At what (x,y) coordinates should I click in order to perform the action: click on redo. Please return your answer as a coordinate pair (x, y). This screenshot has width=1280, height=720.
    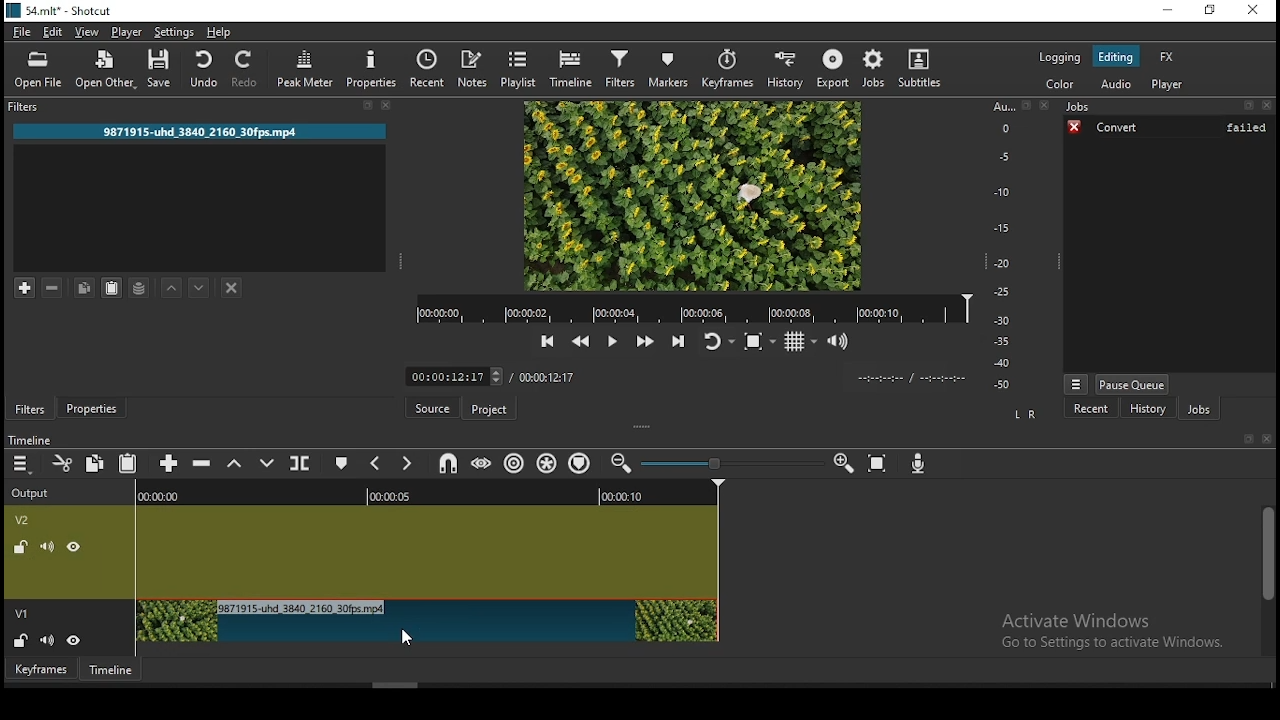
    Looking at the image, I should click on (246, 69).